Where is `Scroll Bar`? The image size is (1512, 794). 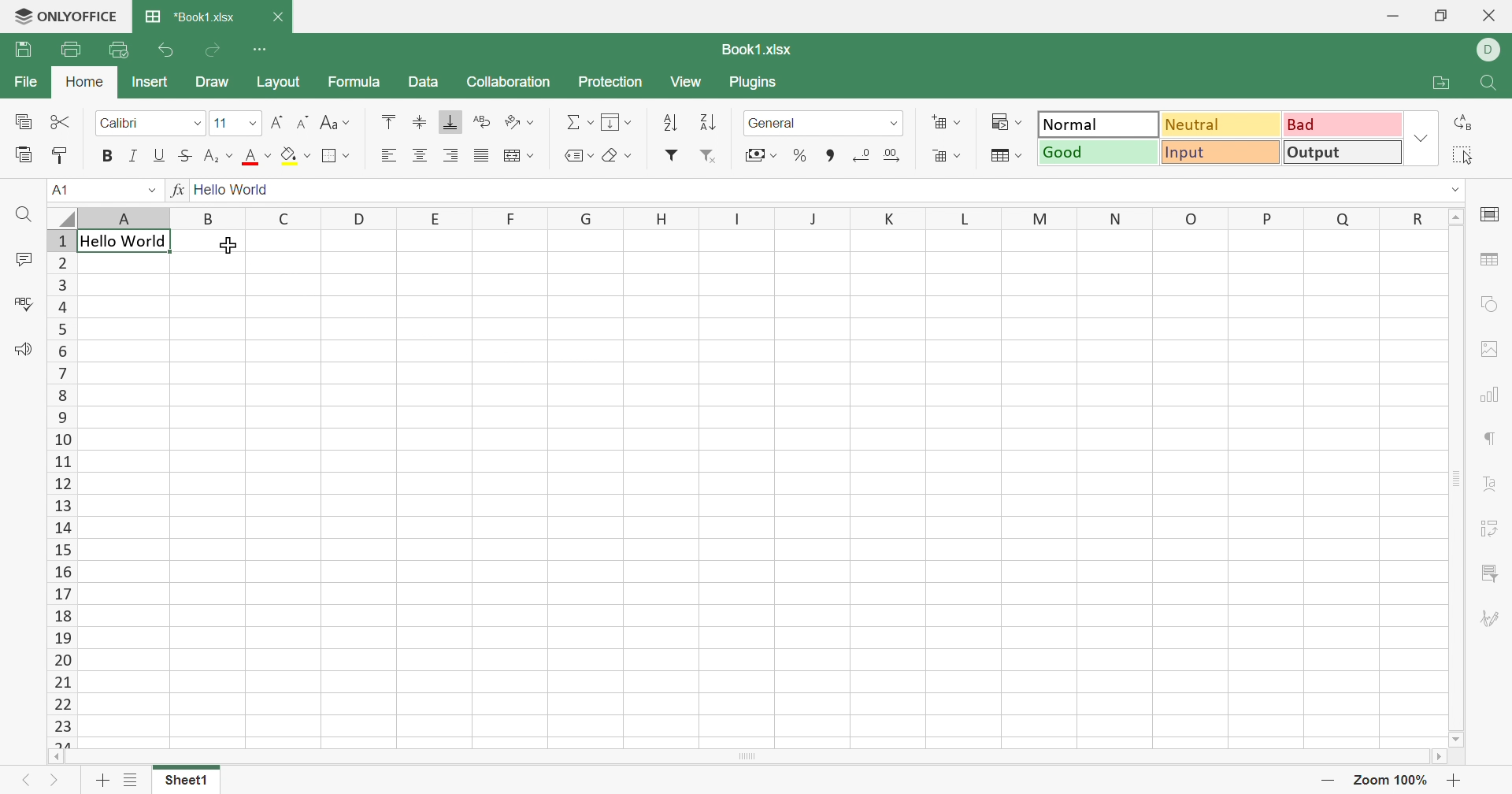 Scroll Bar is located at coordinates (1455, 479).